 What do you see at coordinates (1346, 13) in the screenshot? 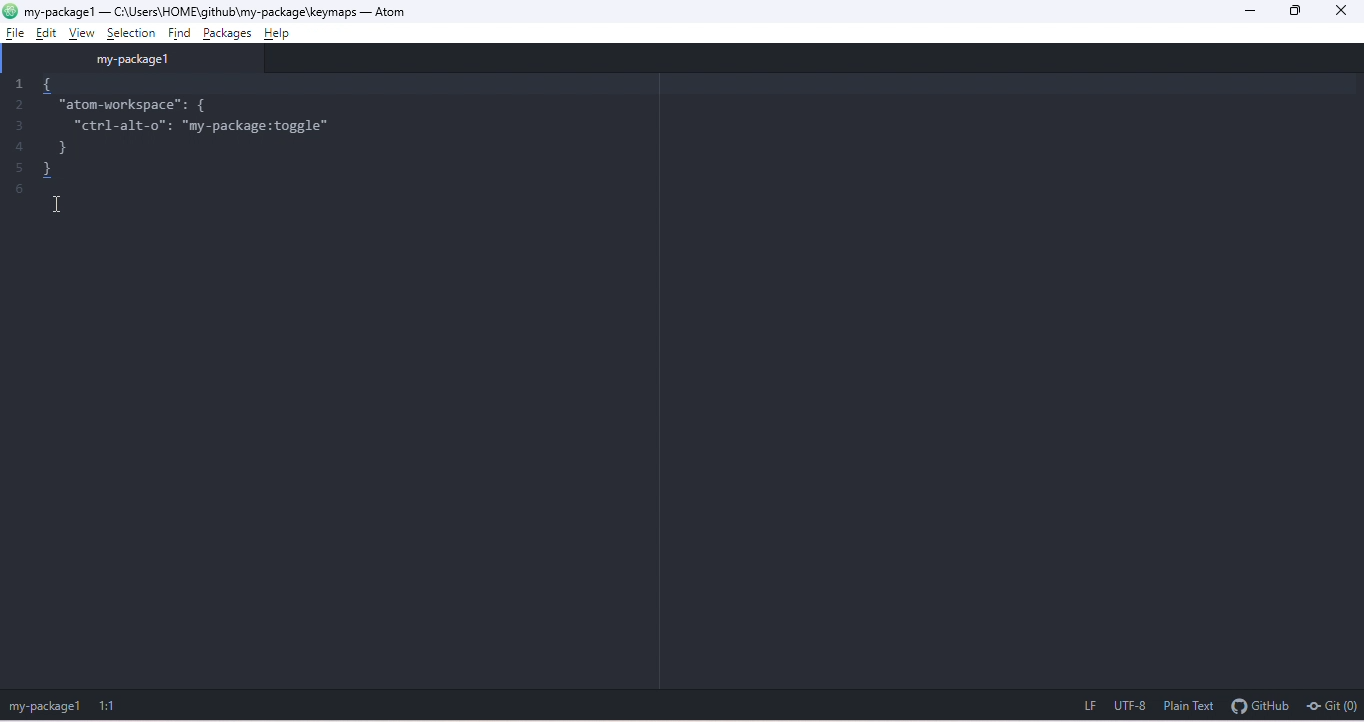
I see `close` at bounding box center [1346, 13].